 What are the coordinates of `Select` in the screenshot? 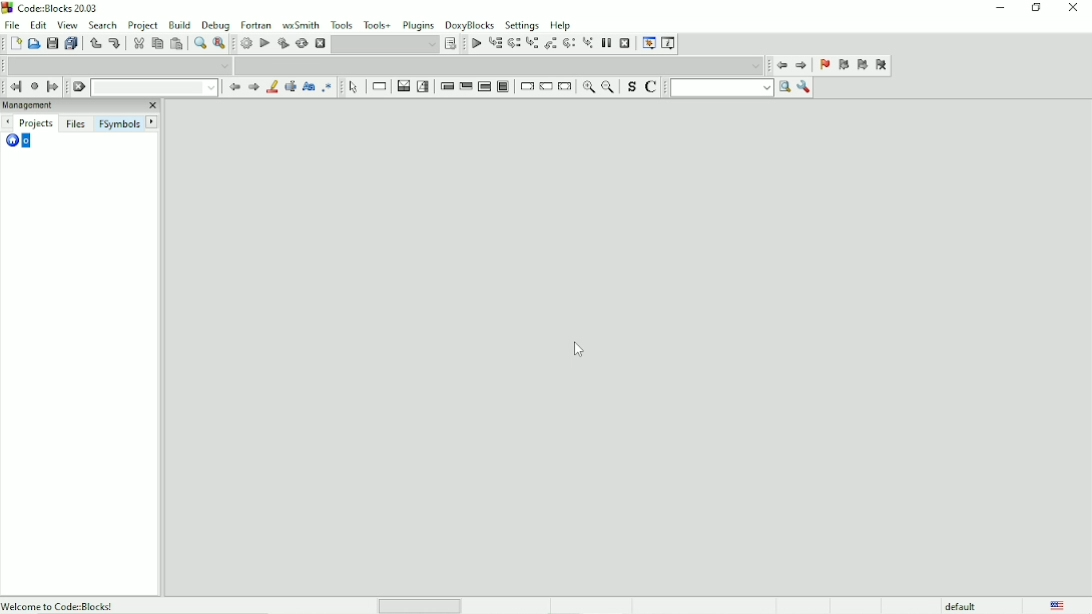 It's located at (354, 87).